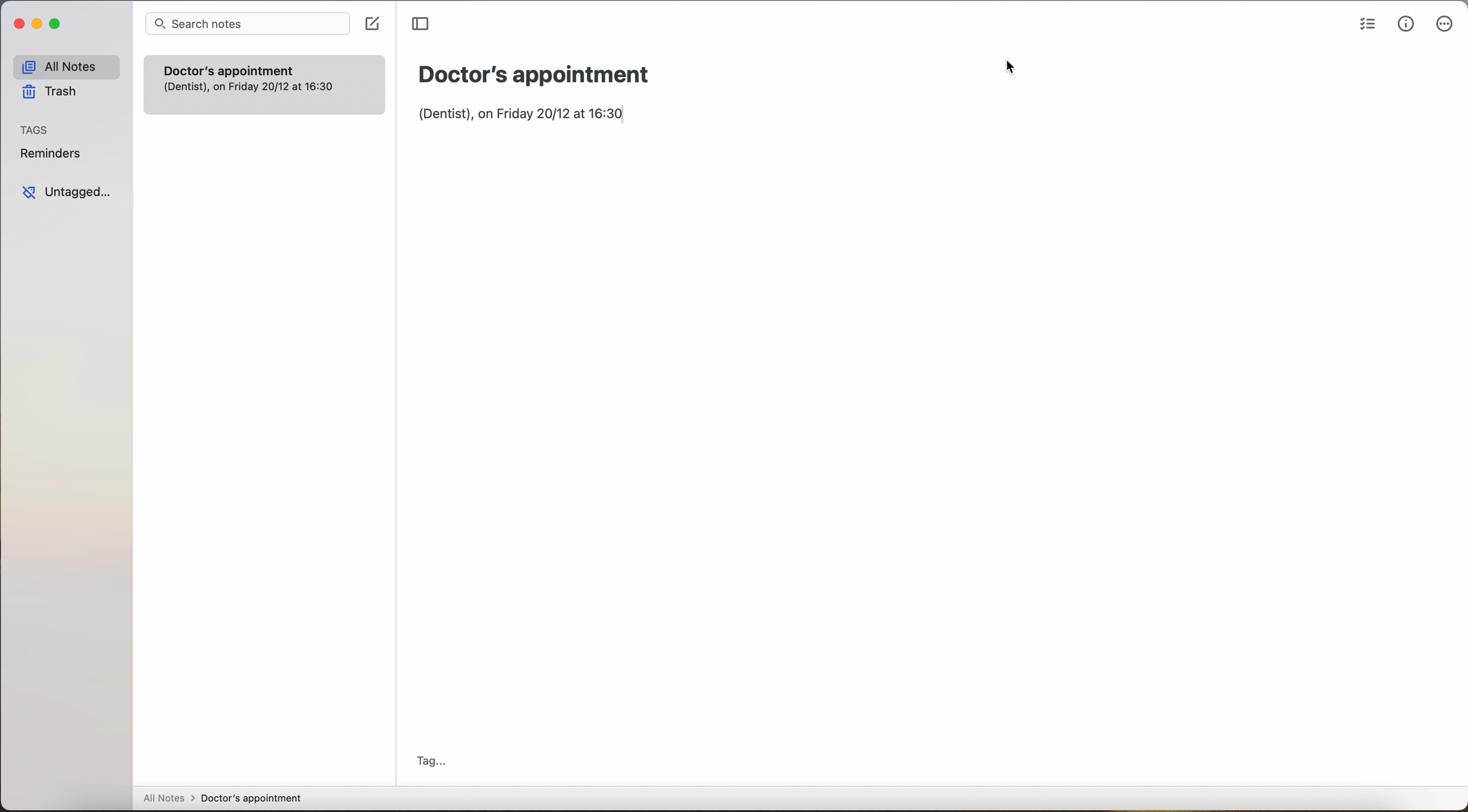  Describe the element at coordinates (528, 119) in the screenshot. I see `(Dentist), on Friday 20/12 at 16:30` at that location.